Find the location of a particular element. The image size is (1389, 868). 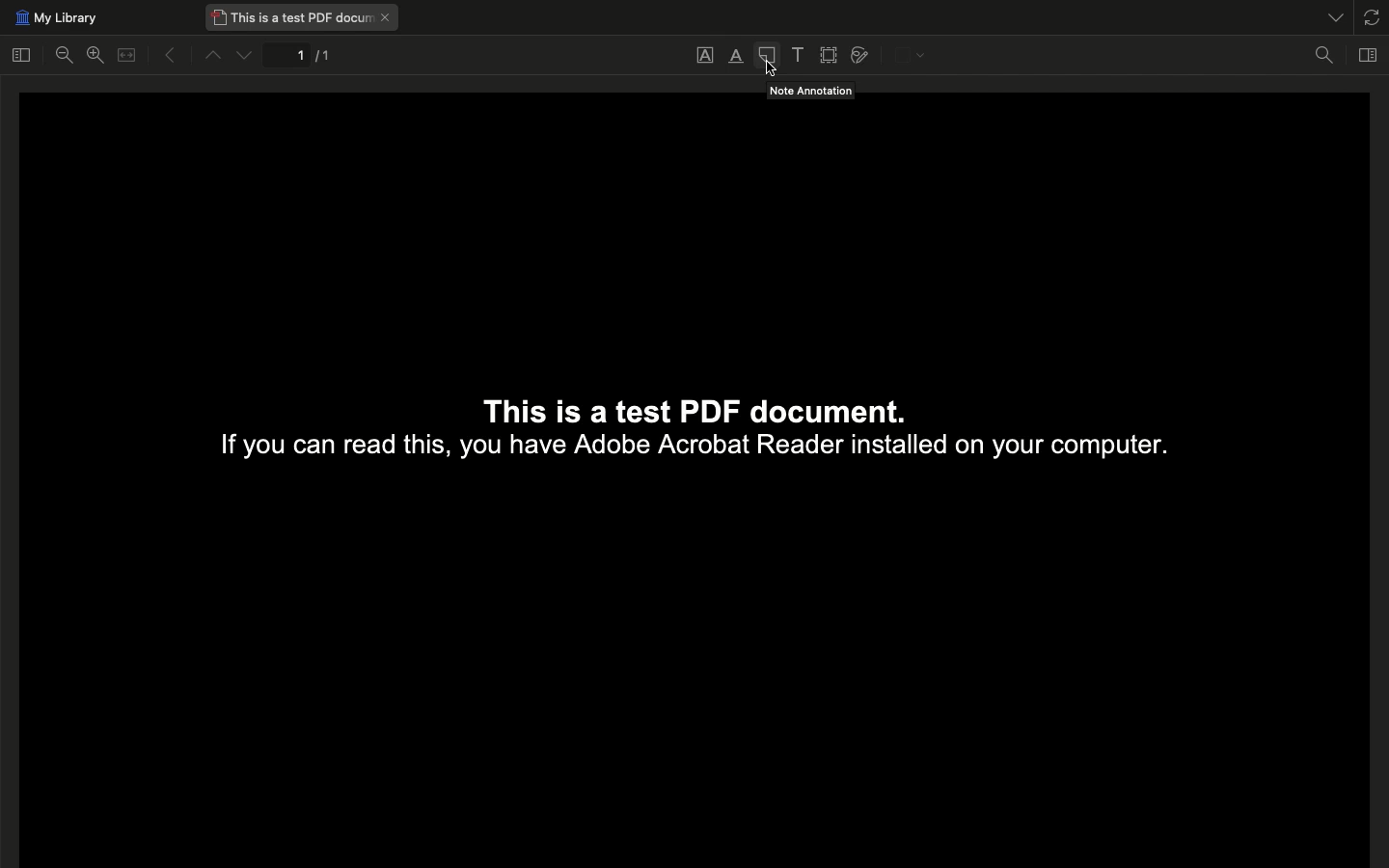

Note Annotation is located at coordinates (808, 95).